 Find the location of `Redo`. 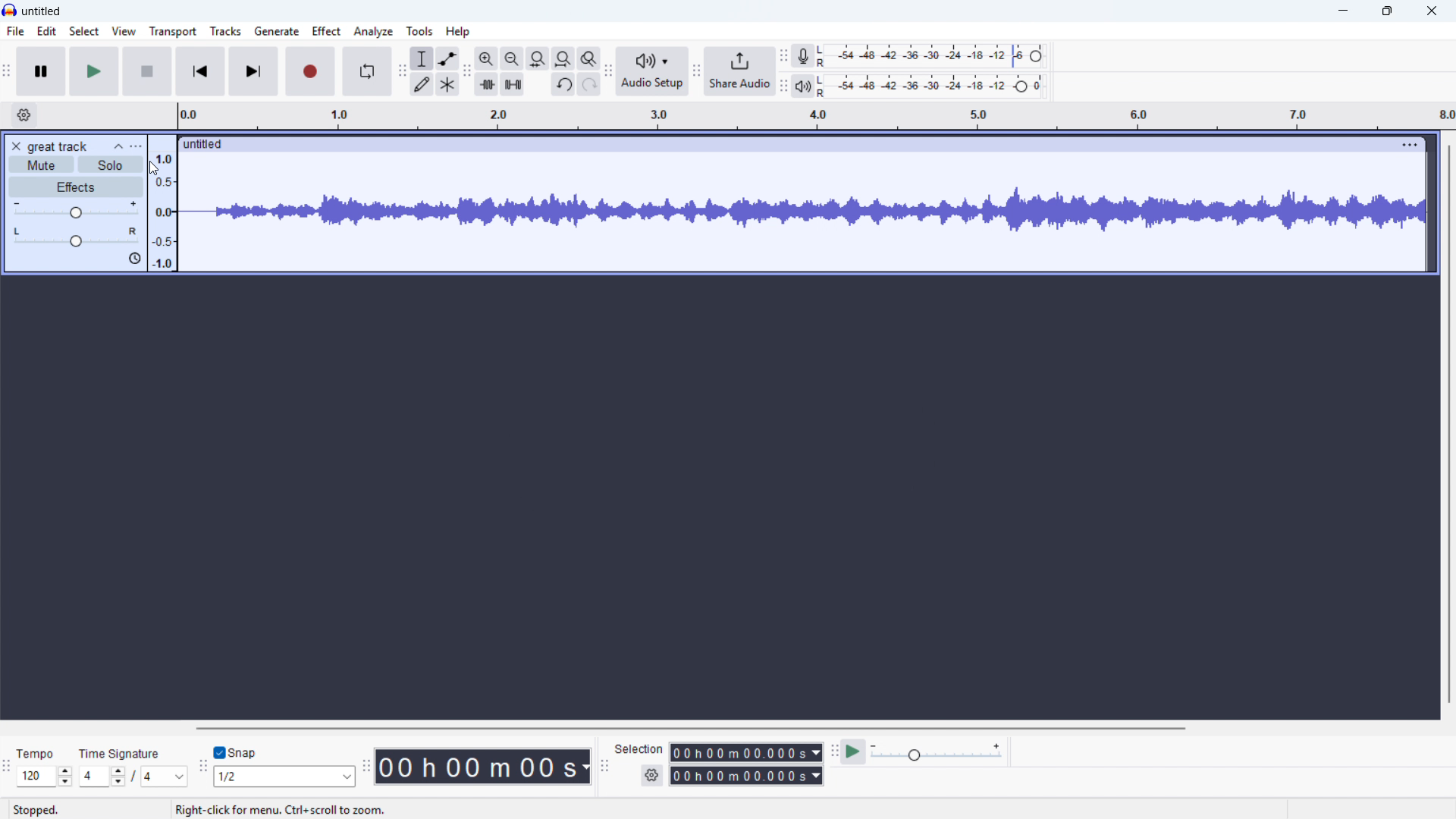

Redo is located at coordinates (589, 85).